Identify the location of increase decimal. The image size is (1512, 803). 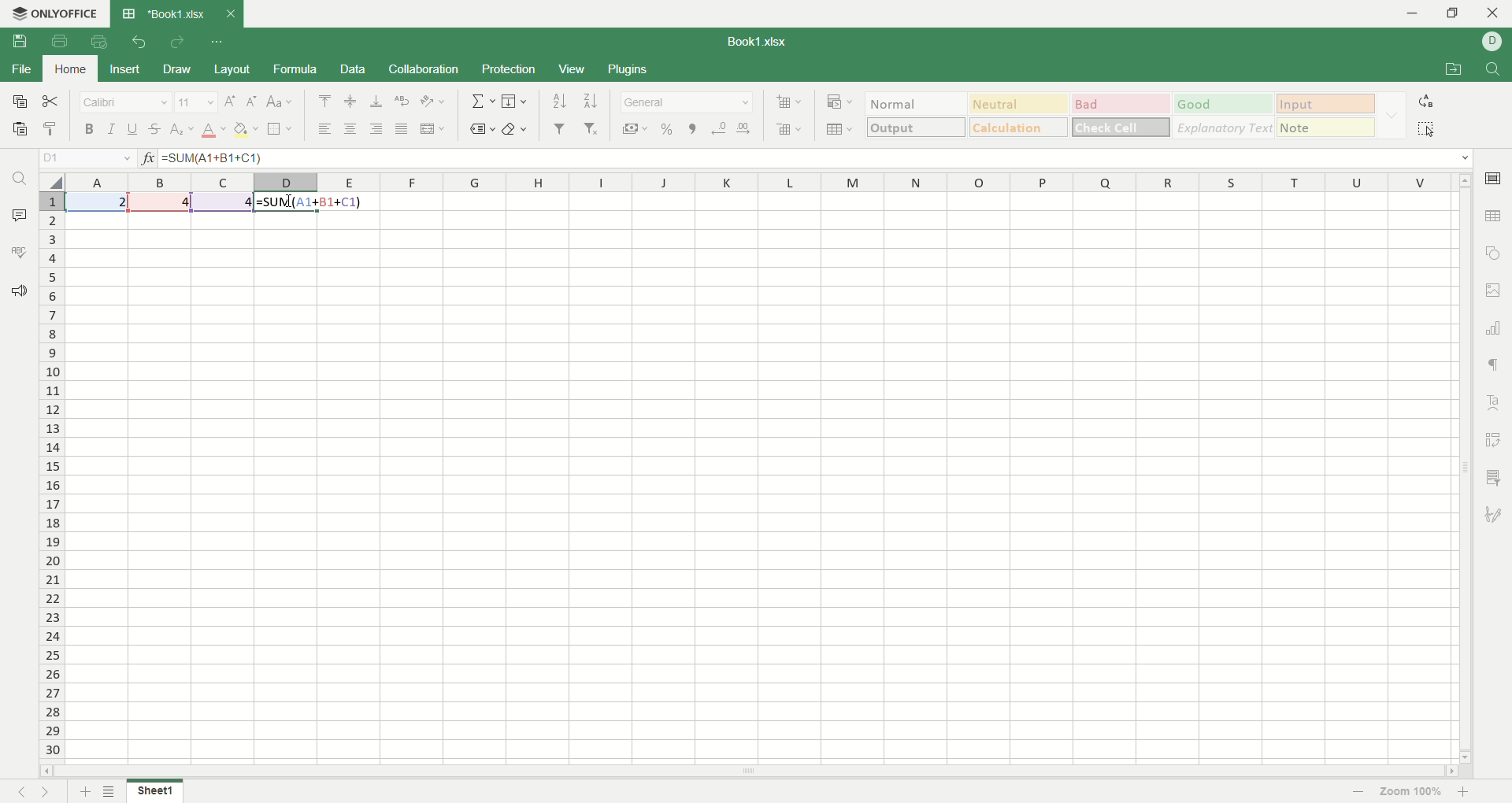
(744, 129).